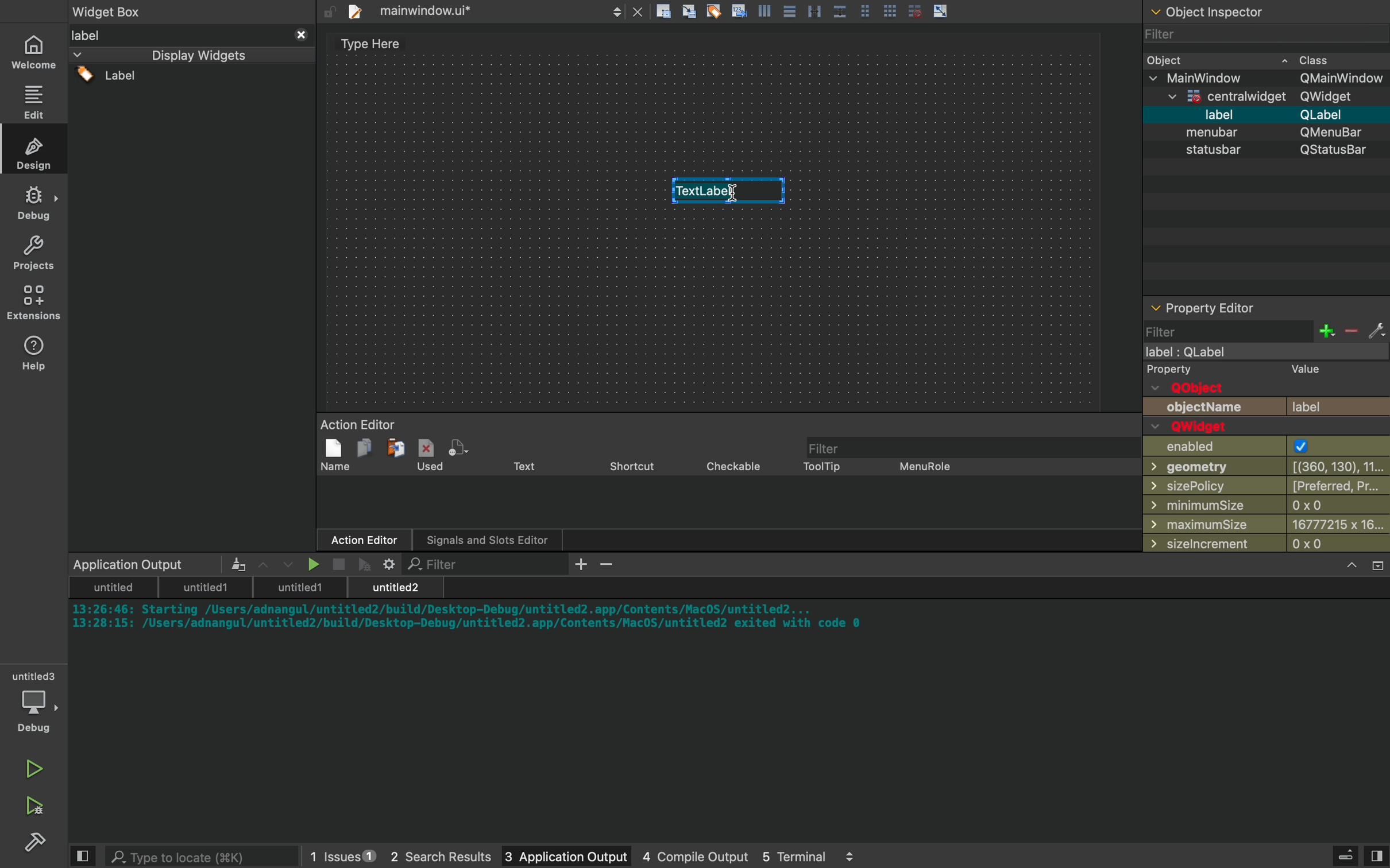 The image size is (1390, 868). Describe the element at coordinates (34, 352) in the screenshot. I see `help` at that location.